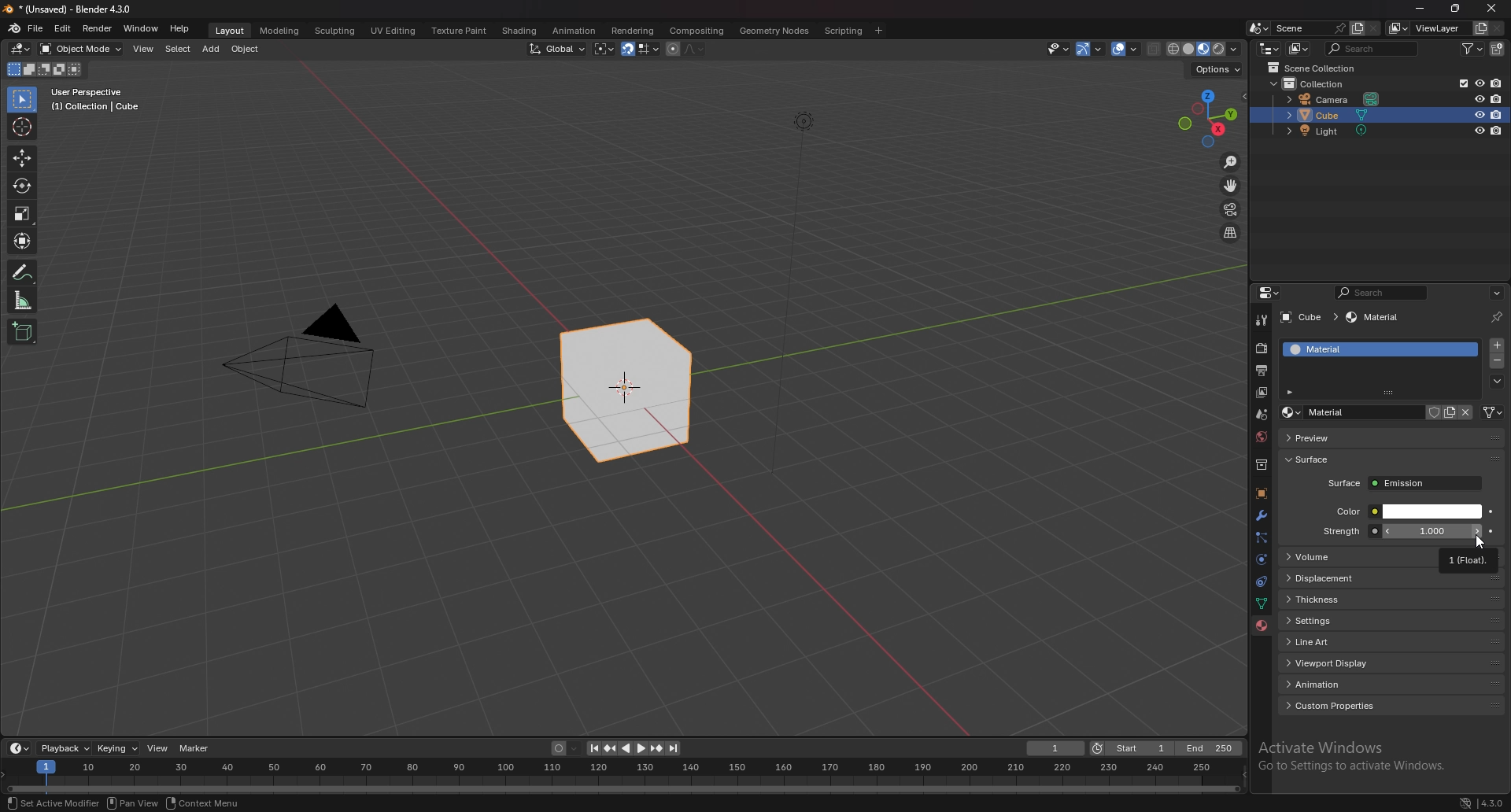 This screenshot has height=812, width=1511. Describe the element at coordinates (22, 333) in the screenshot. I see `add cube` at that location.